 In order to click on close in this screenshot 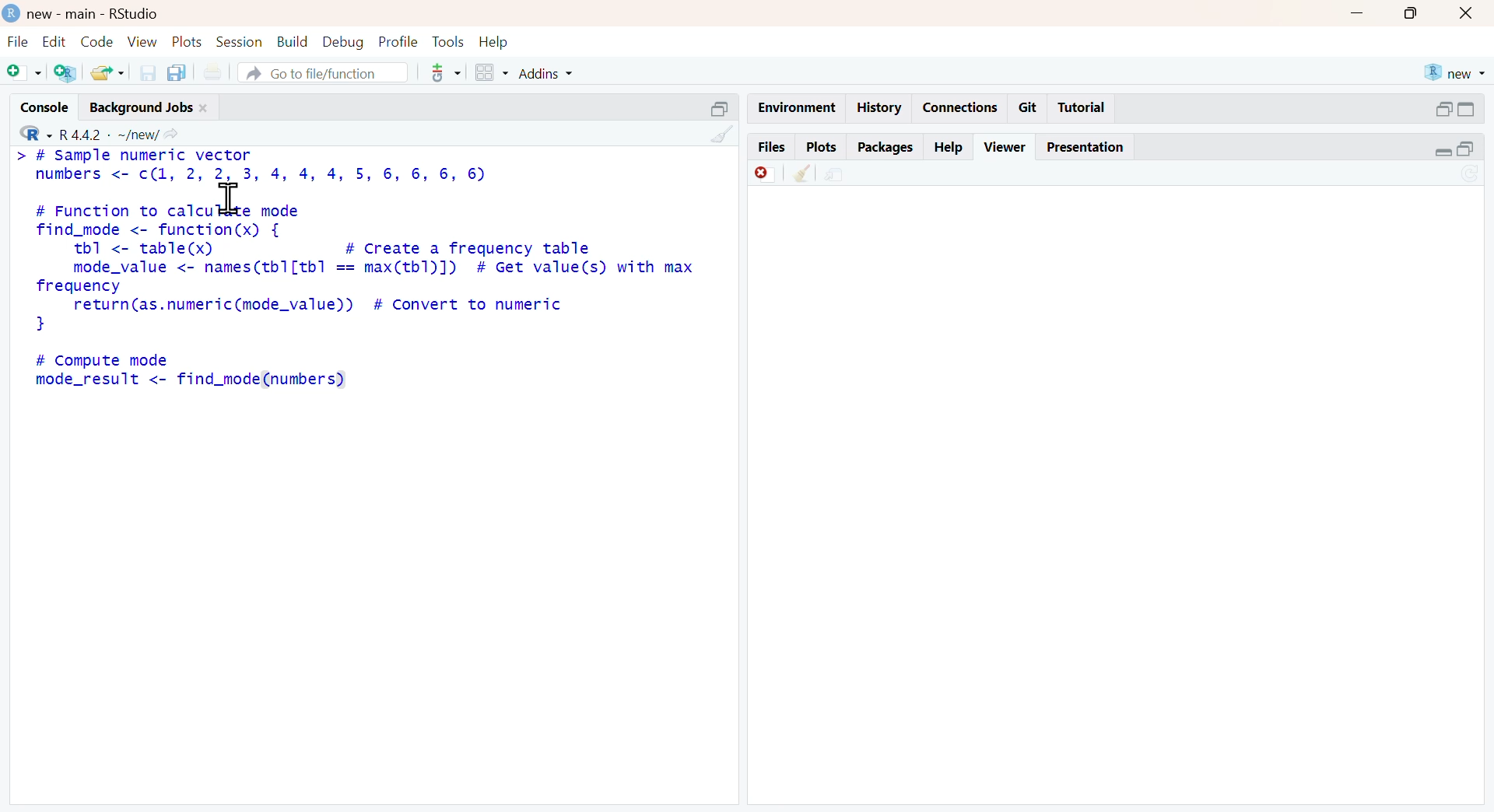, I will do `click(205, 108)`.